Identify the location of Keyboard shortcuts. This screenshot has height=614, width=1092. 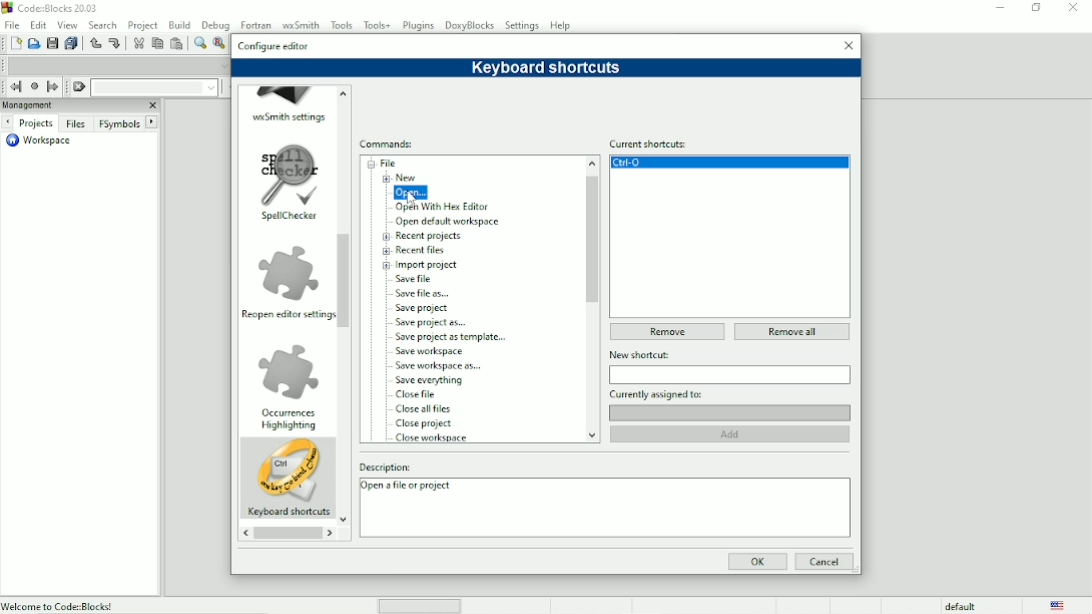
(288, 513).